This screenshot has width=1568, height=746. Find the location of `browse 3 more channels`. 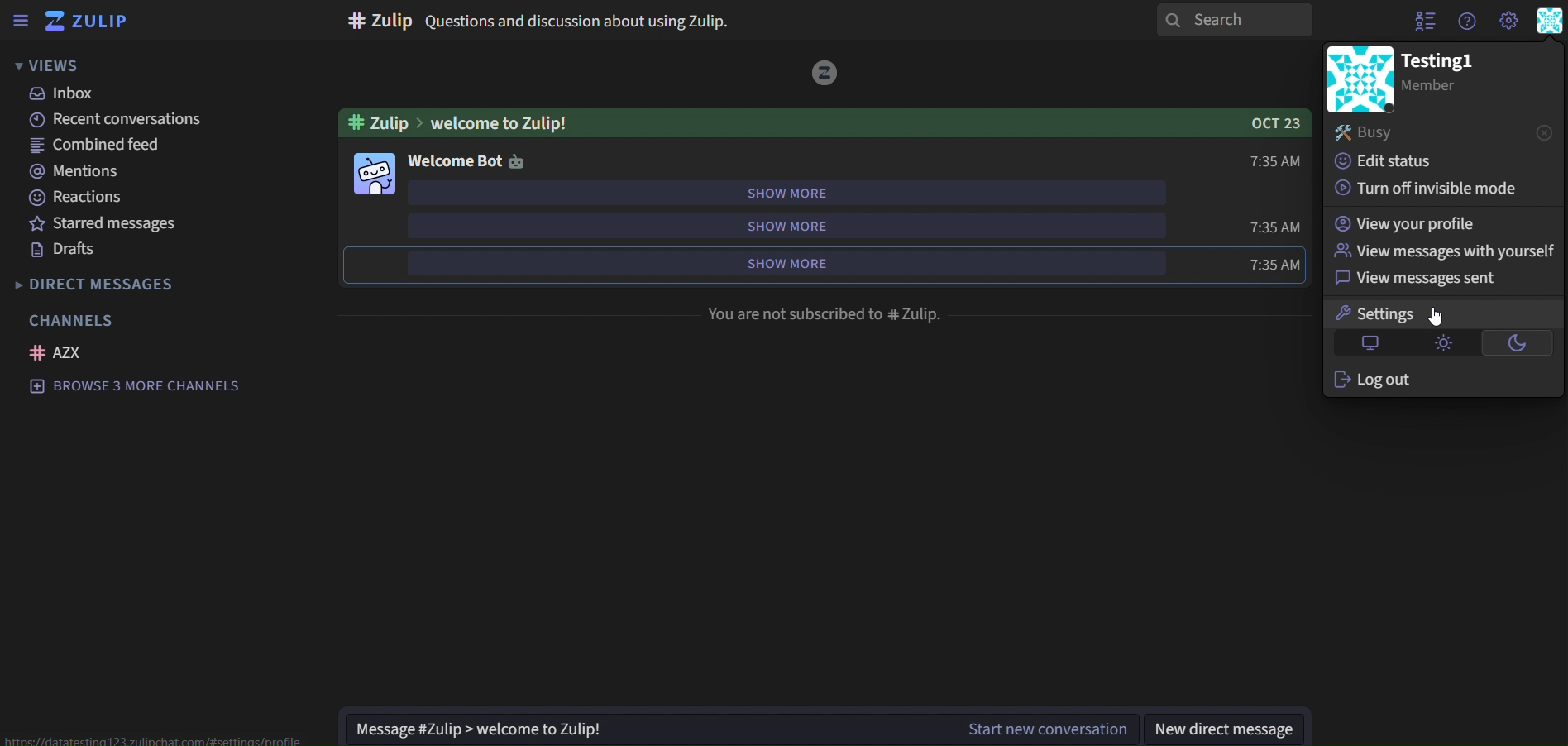

browse 3 more channels is located at coordinates (146, 388).